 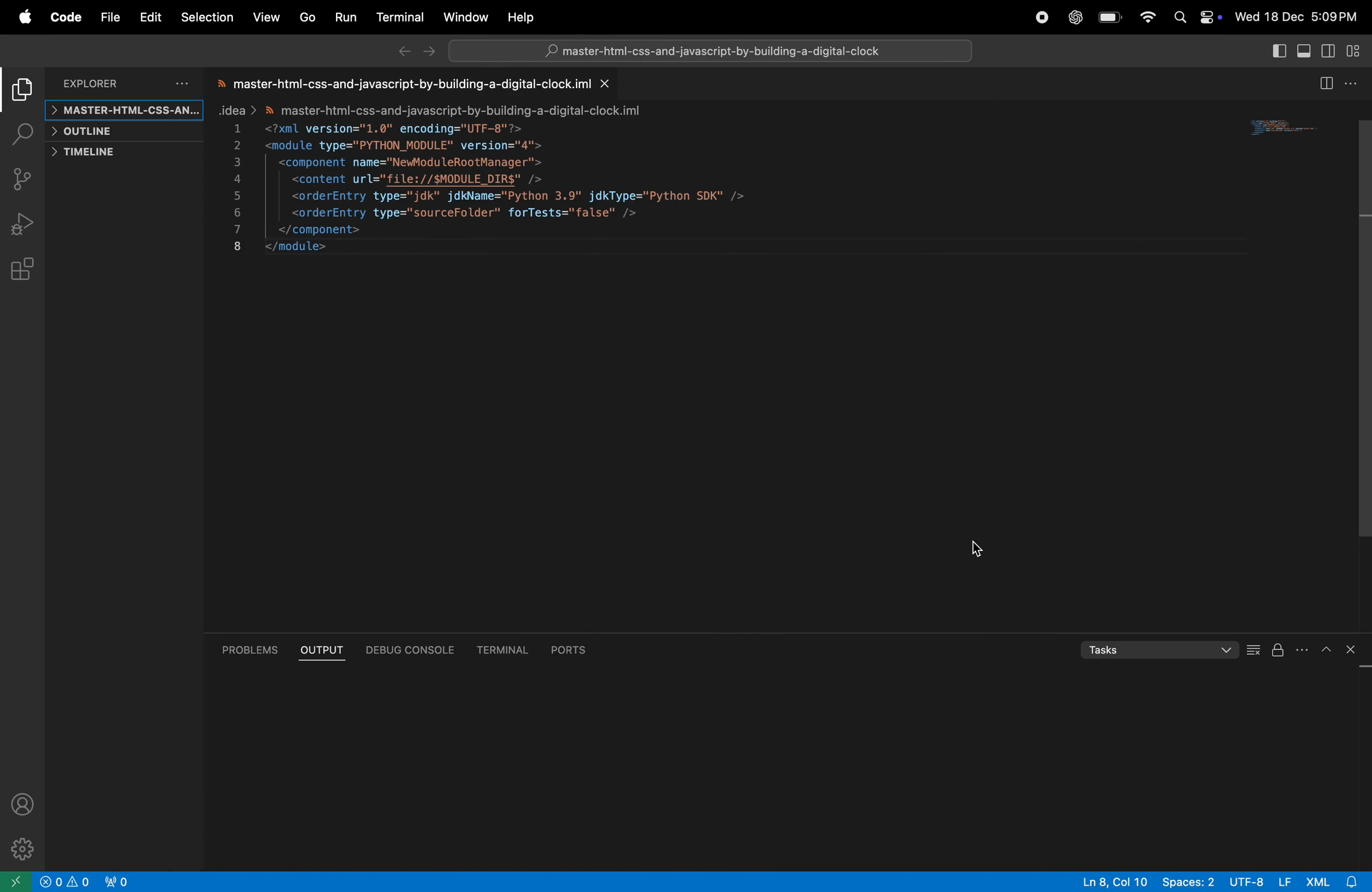 What do you see at coordinates (402, 53) in the screenshot?
I see `backward` at bounding box center [402, 53].